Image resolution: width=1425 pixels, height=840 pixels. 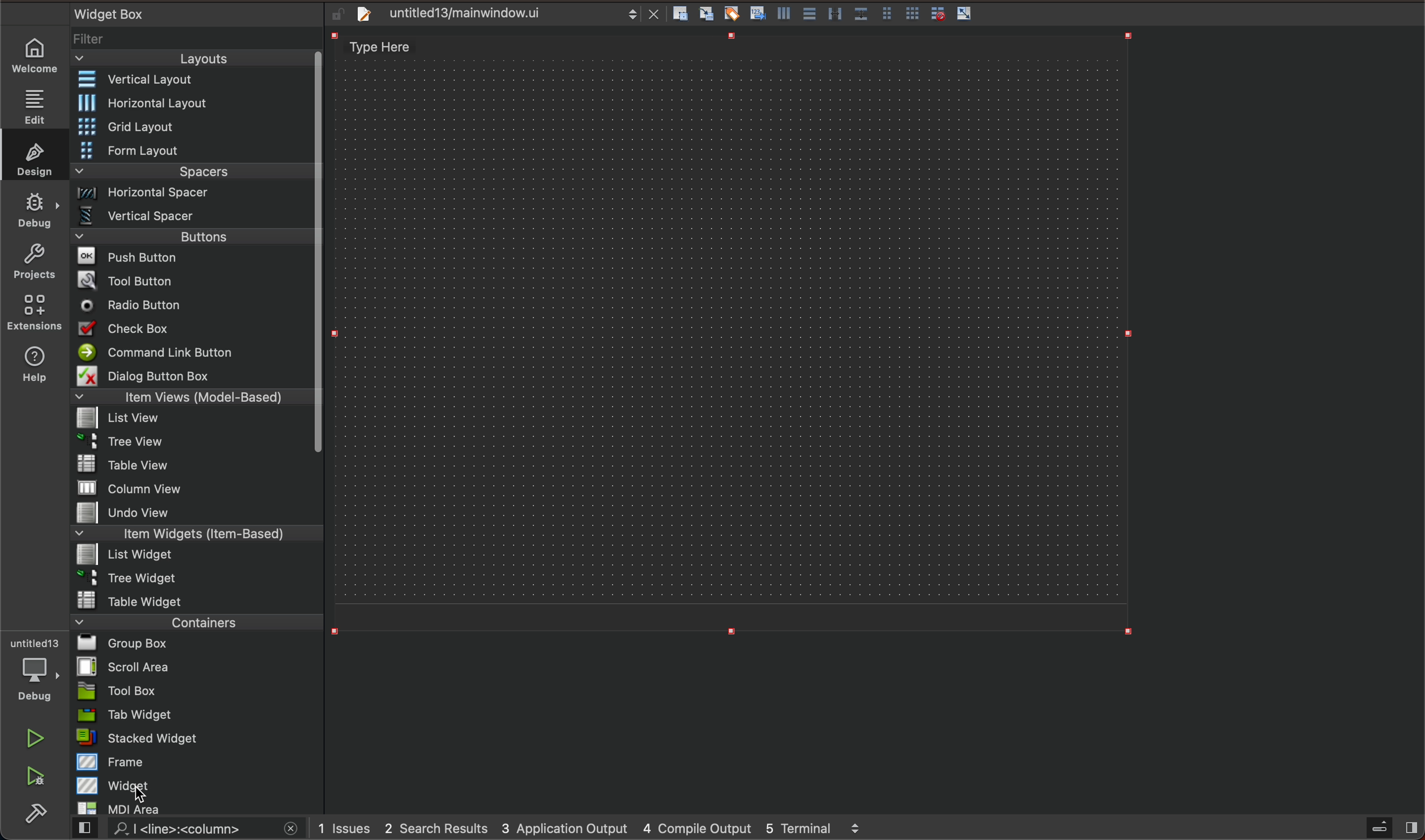 I want to click on vertical spacer, so click(x=192, y=216).